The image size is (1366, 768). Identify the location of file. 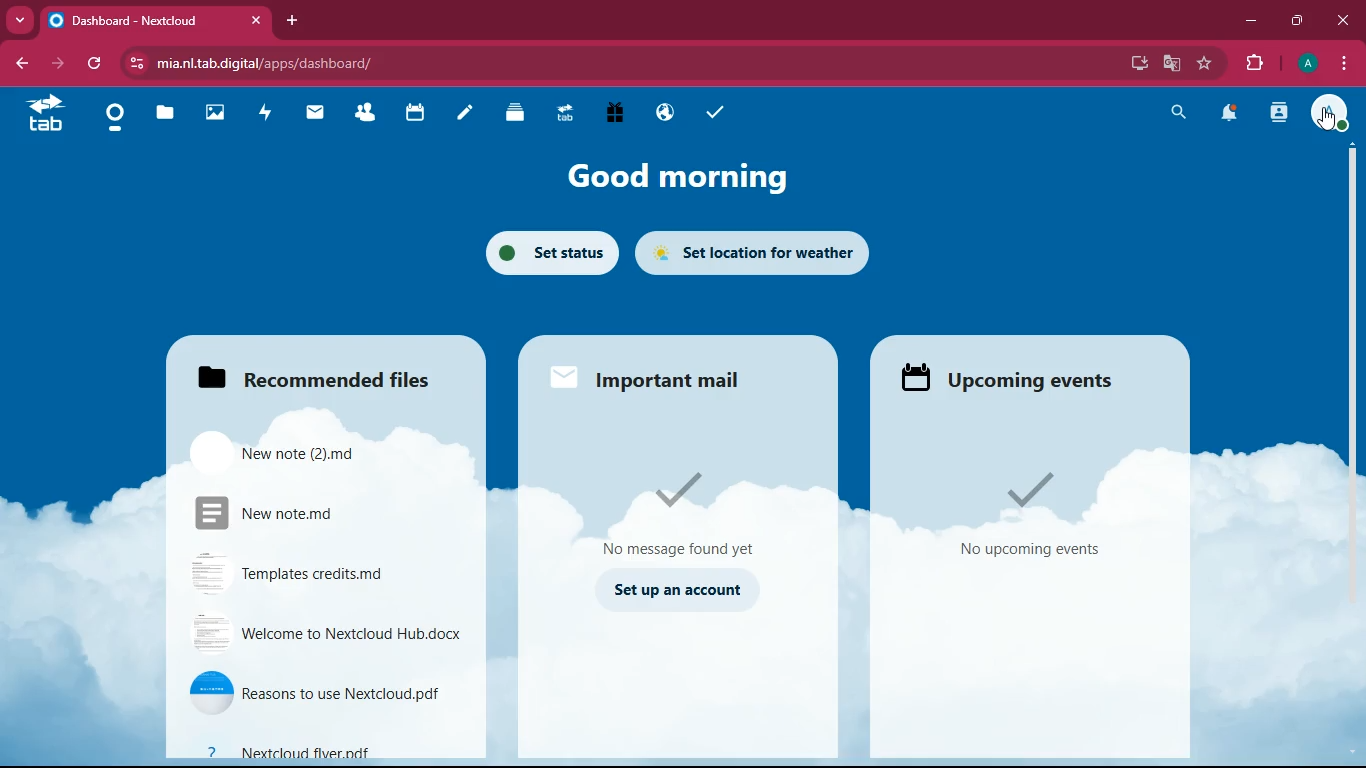
(308, 691).